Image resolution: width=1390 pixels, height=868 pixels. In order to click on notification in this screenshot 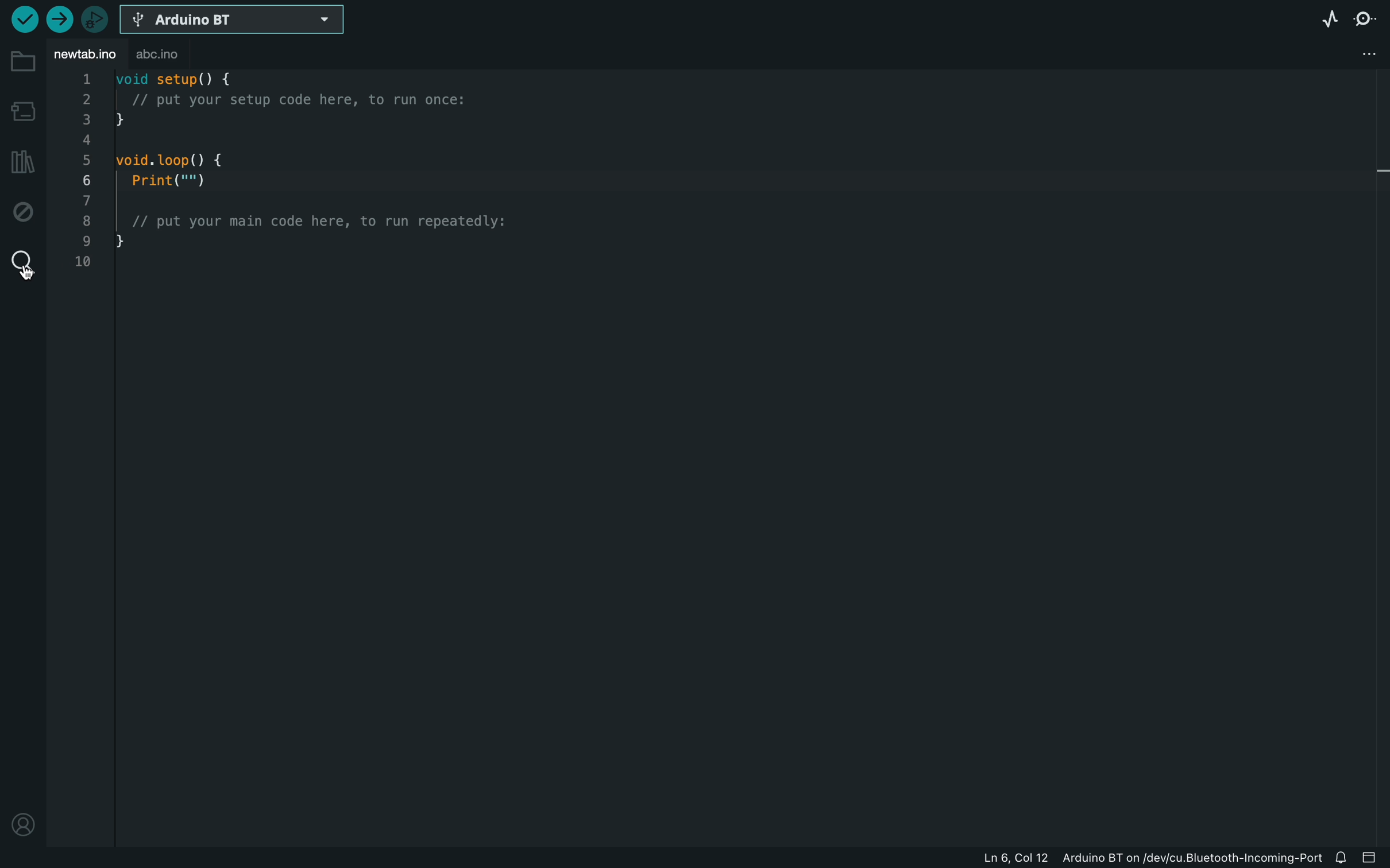, I will do `click(1342, 855)`.